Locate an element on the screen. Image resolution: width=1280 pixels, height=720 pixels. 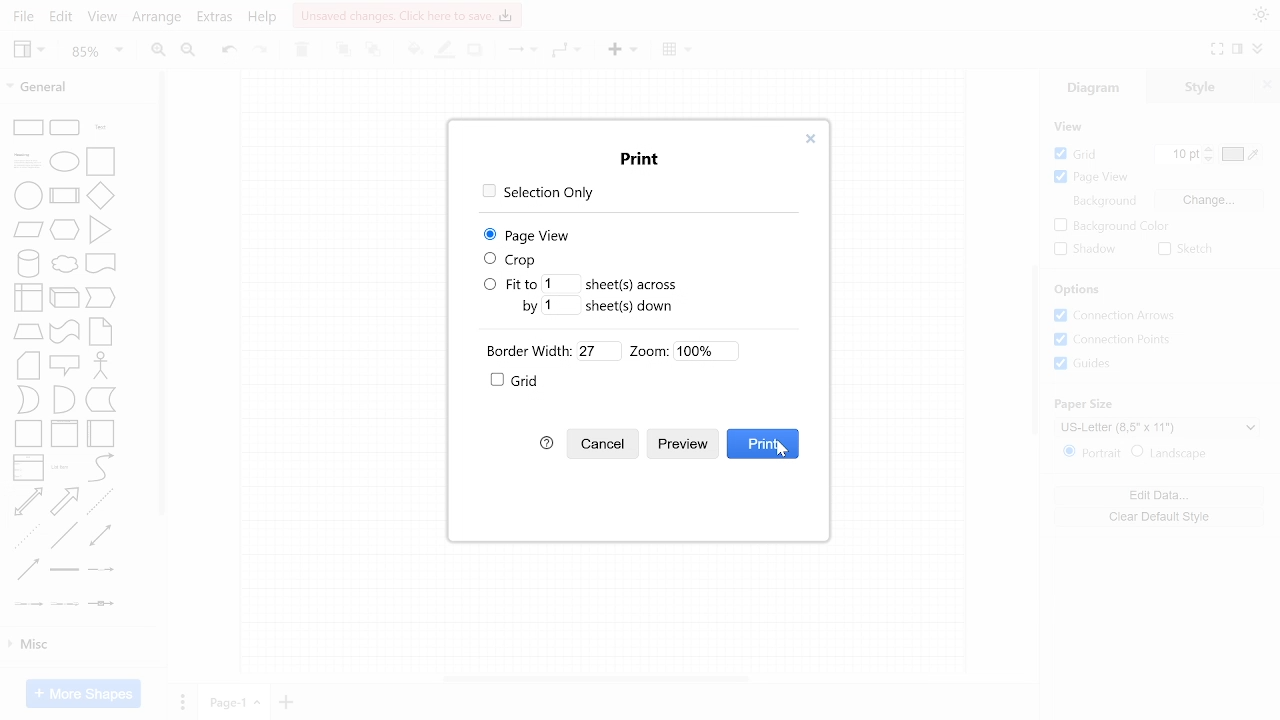
Fill line is located at coordinates (446, 50).